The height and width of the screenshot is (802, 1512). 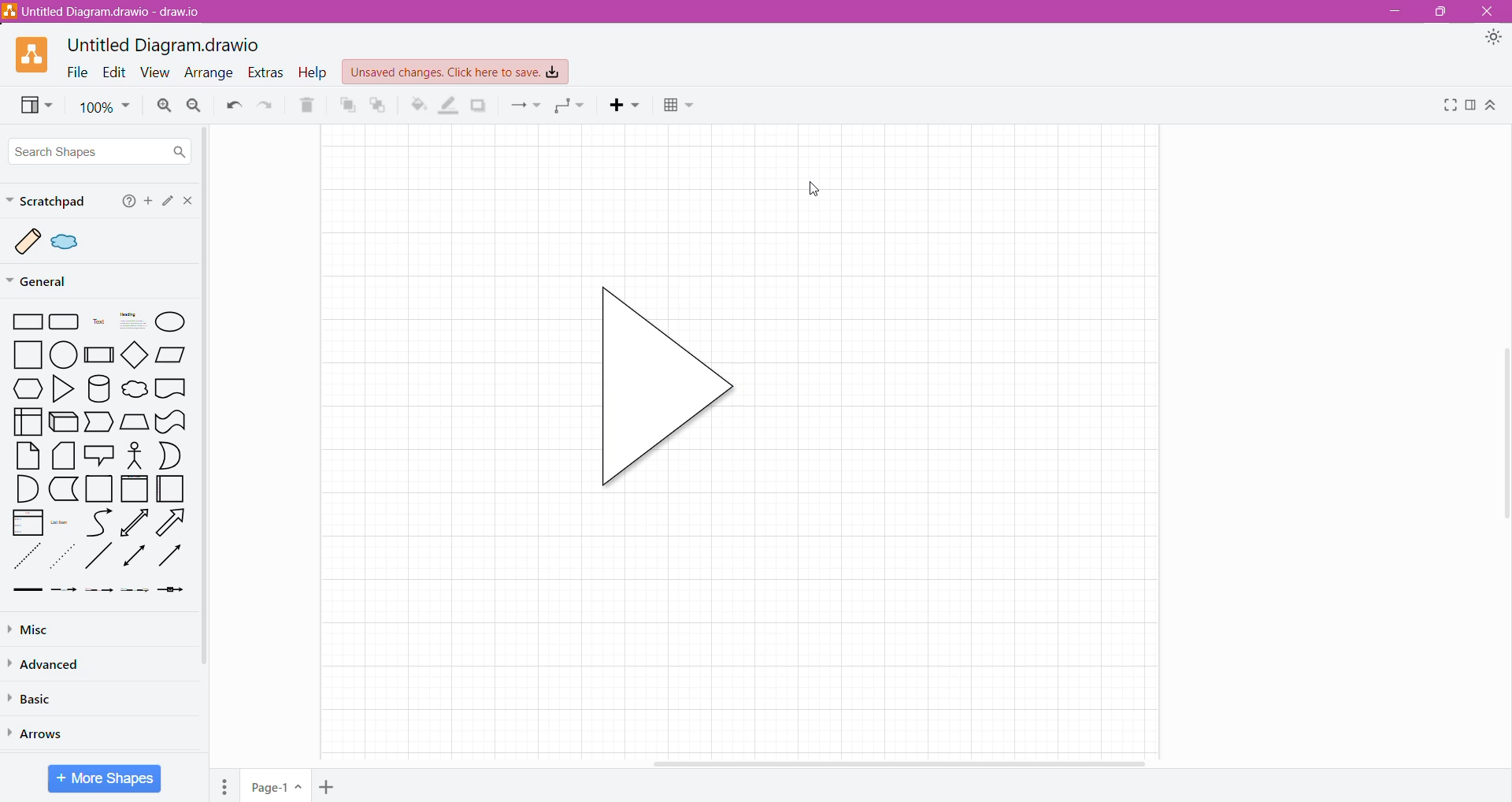 What do you see at coordinates (315, 72) in the screenshot?
I see `Help` at bounding box center [315, 72].